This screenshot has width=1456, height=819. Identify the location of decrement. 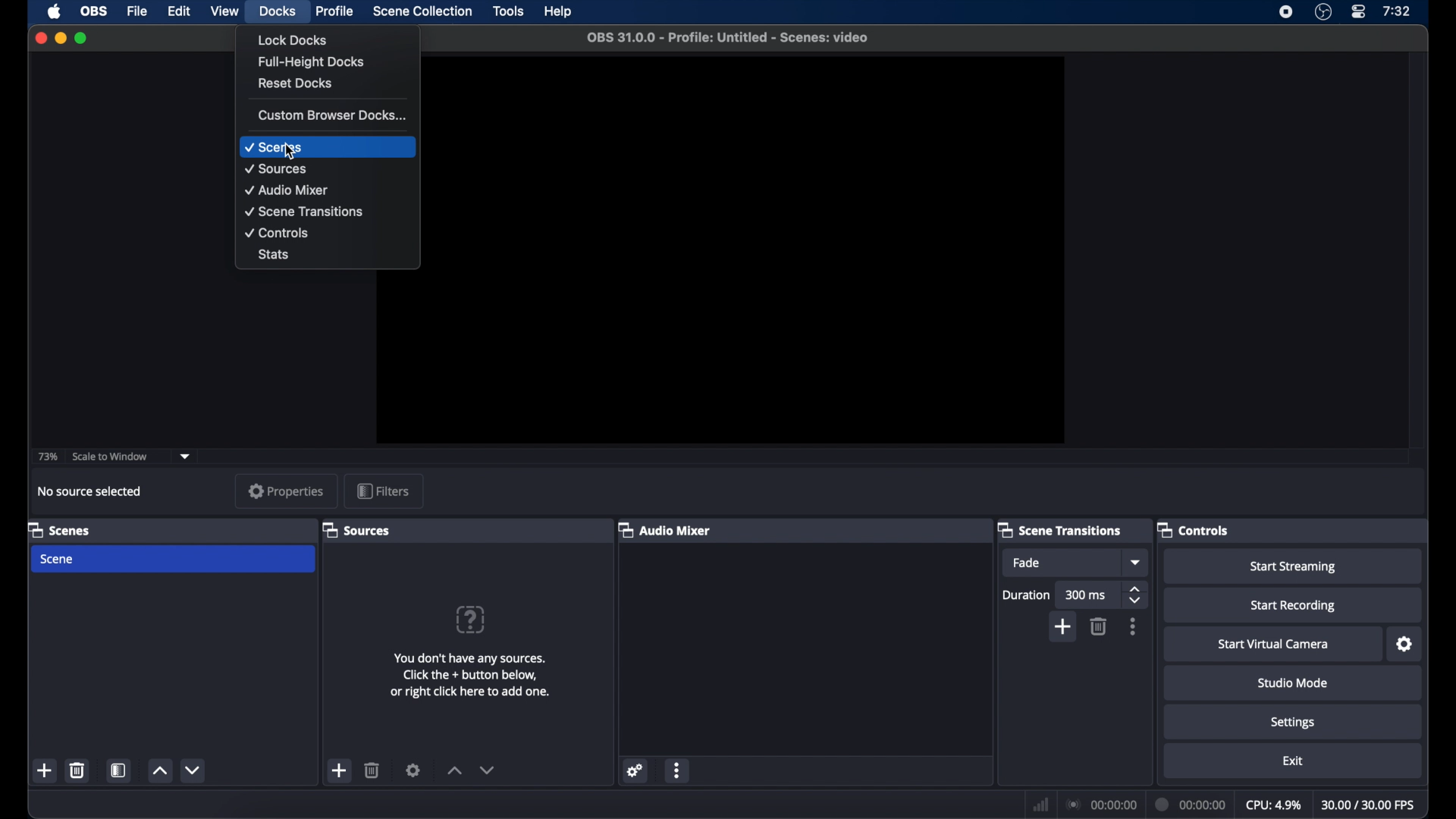
(193, 770).